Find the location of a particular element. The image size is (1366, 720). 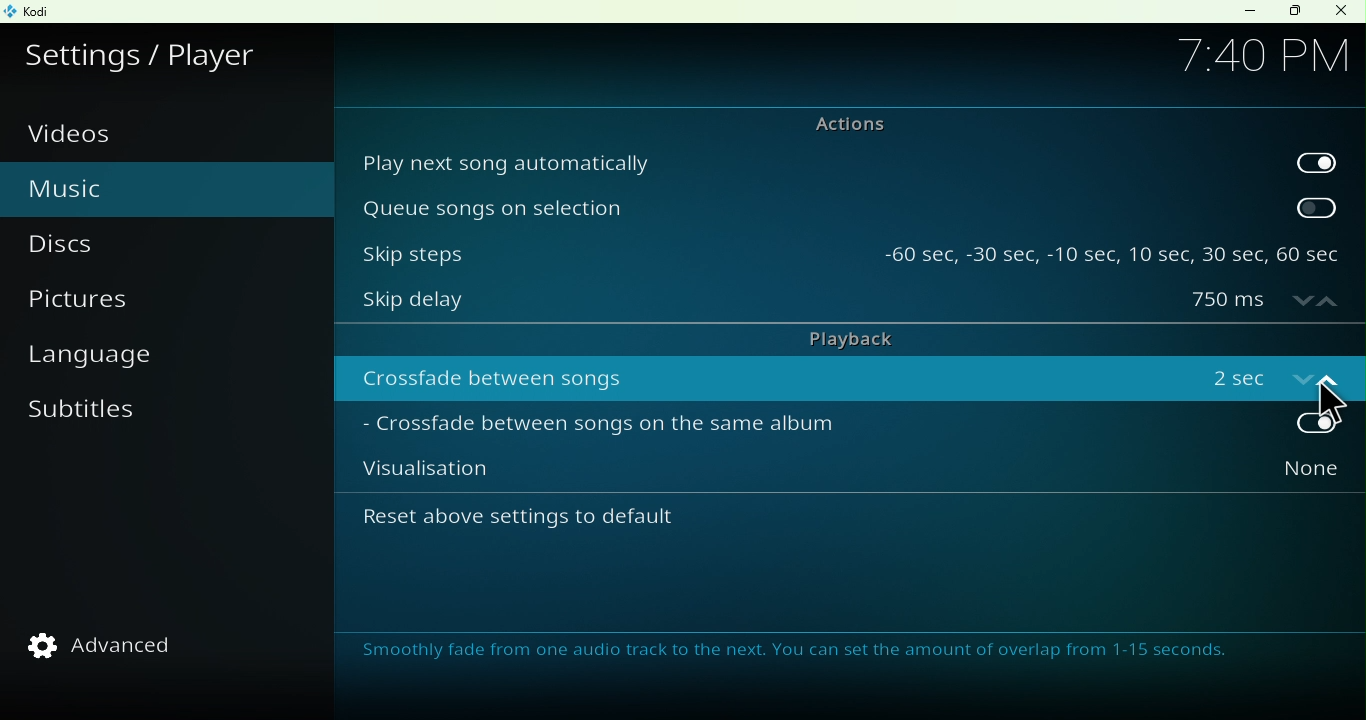

time skips is located at coordinates (1112, 248).